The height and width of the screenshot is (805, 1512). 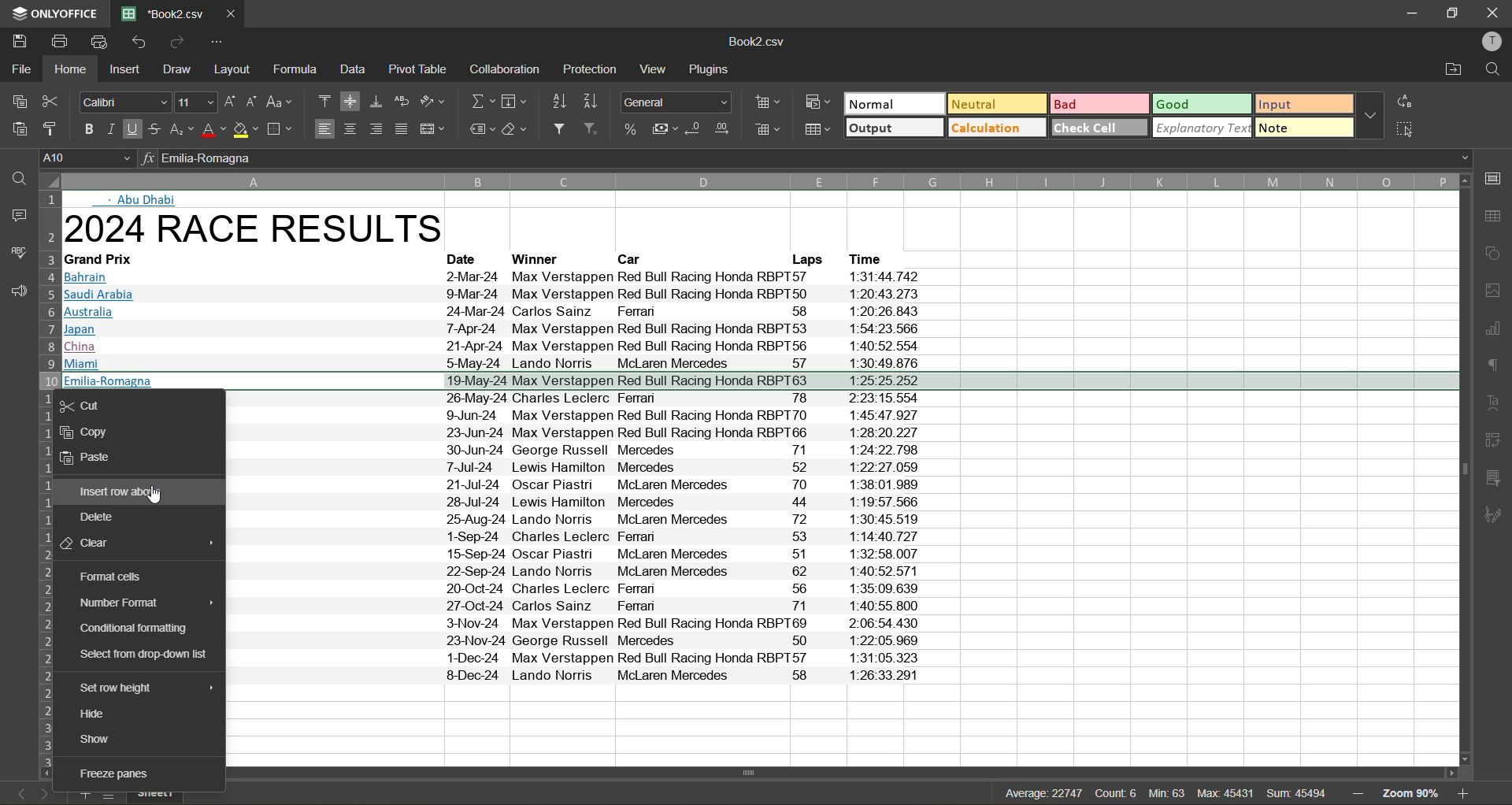 I want to click on number format, so click(x=673, y=102).